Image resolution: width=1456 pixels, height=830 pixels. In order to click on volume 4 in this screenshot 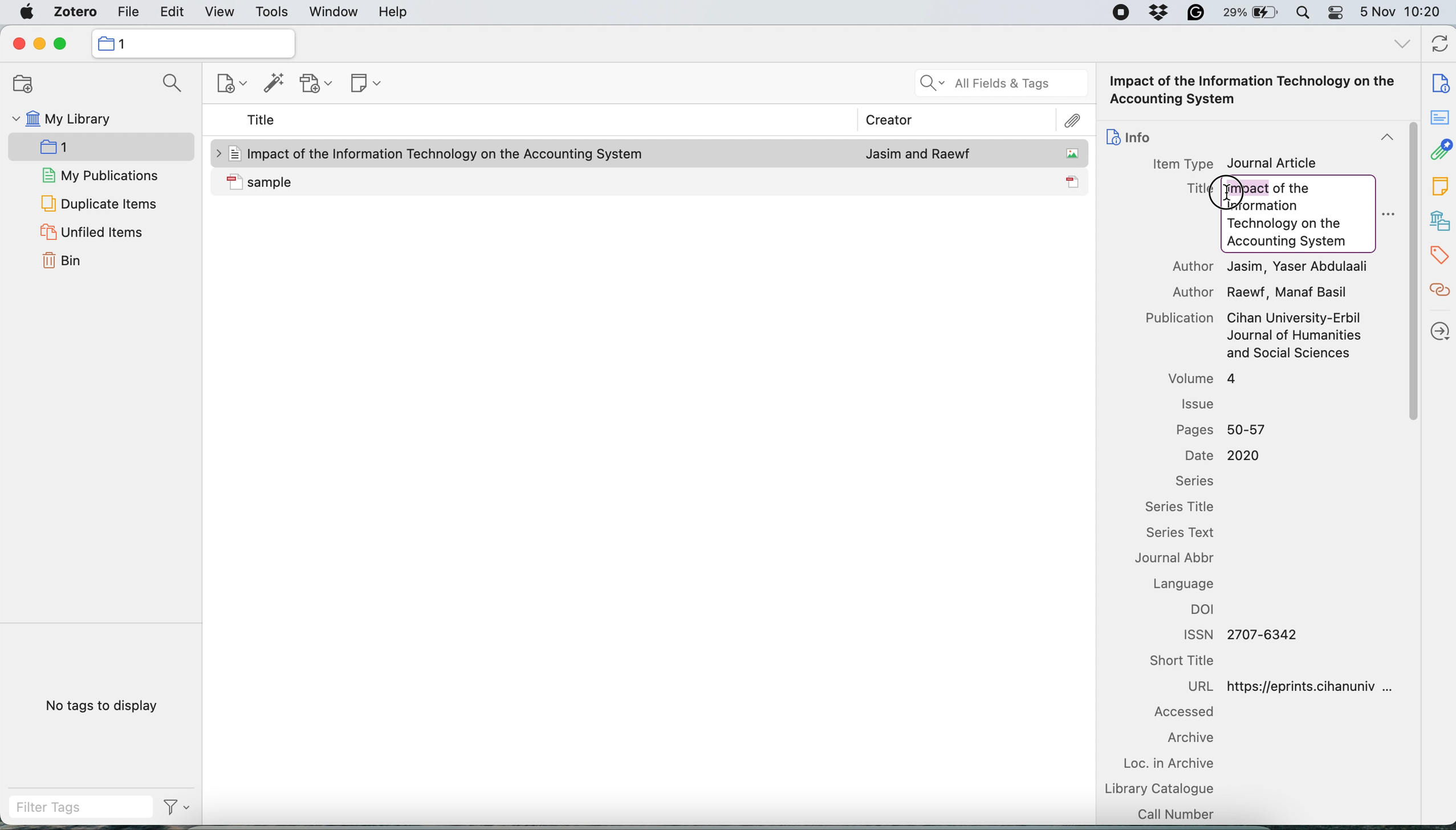, I will do `click(1204, 377)`.